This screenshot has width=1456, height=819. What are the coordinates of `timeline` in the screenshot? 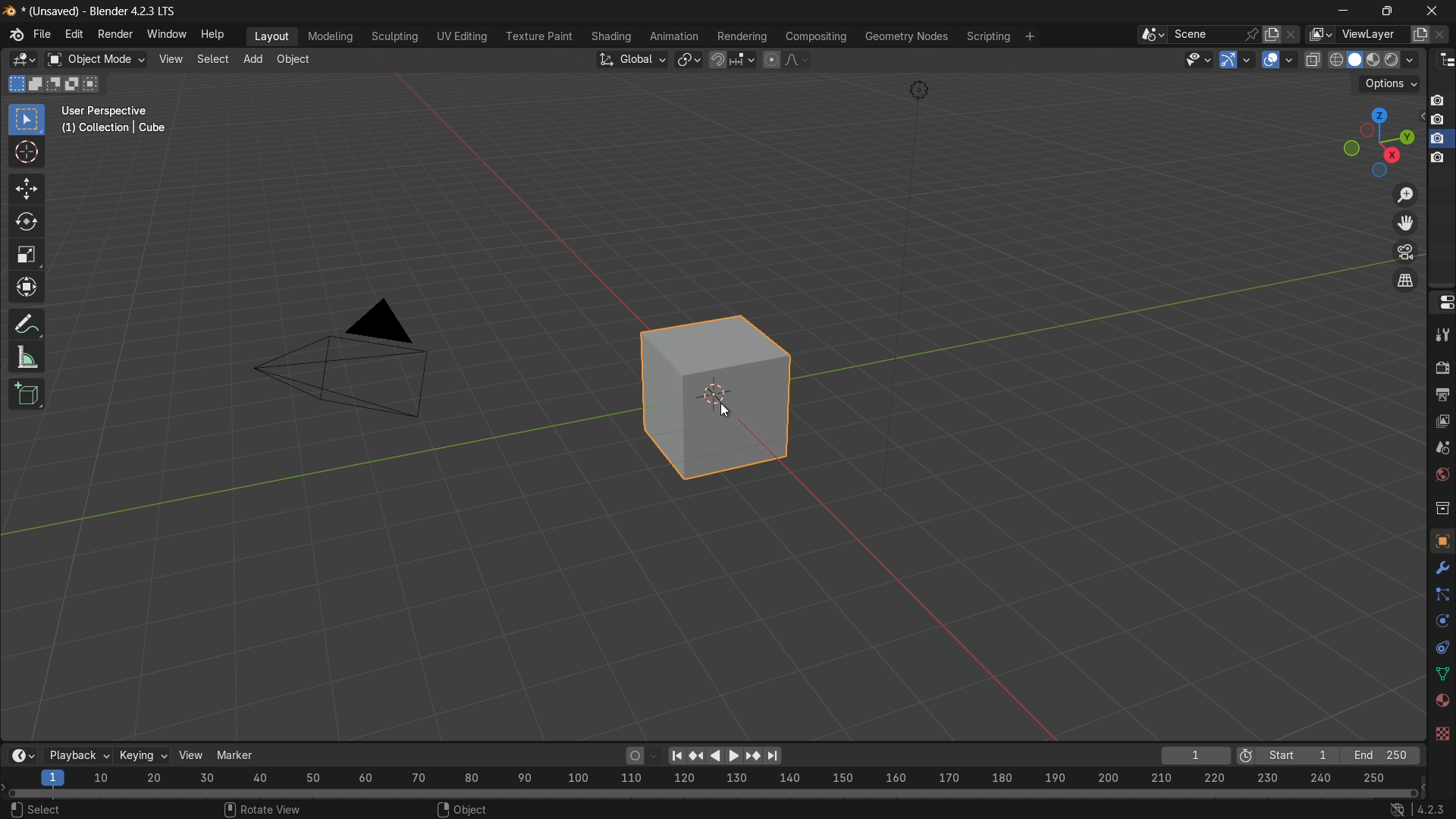 It's located at (18, 757).